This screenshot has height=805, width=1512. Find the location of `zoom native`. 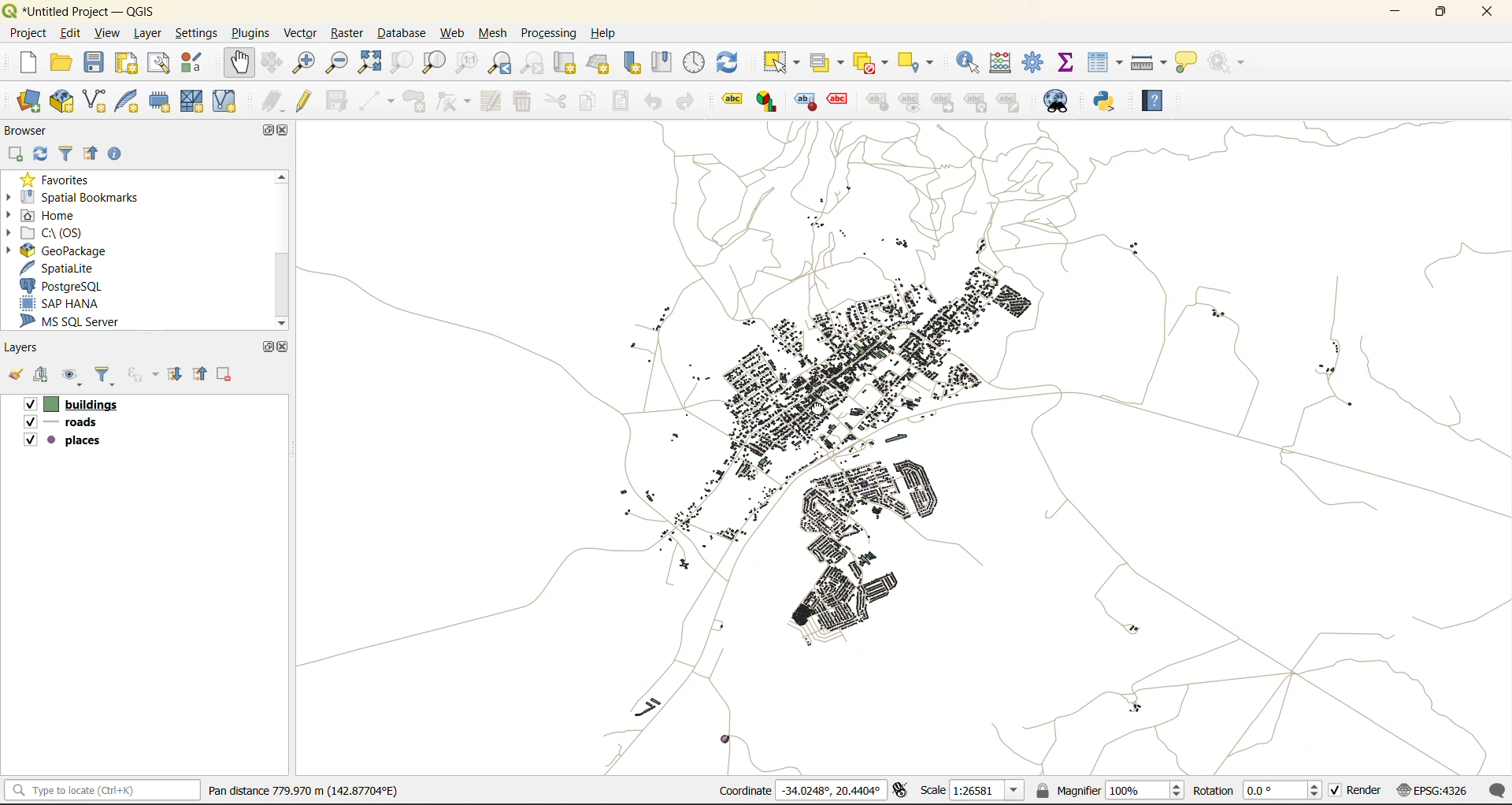

zoom native is located at coordinates (462, 65).